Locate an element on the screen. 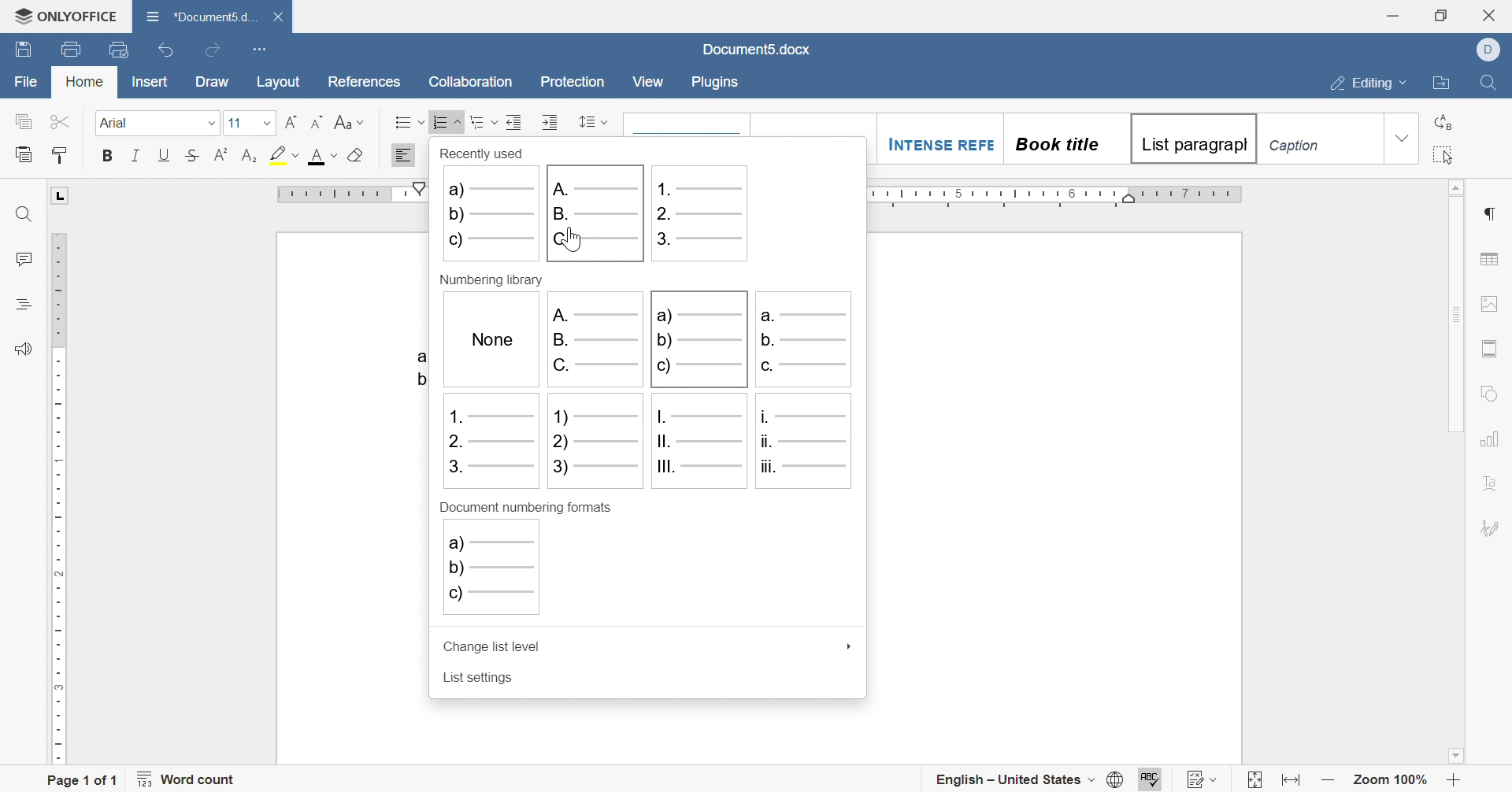 This screenshot has height=792, width=1512. copy is located at coordinates (24, 121).